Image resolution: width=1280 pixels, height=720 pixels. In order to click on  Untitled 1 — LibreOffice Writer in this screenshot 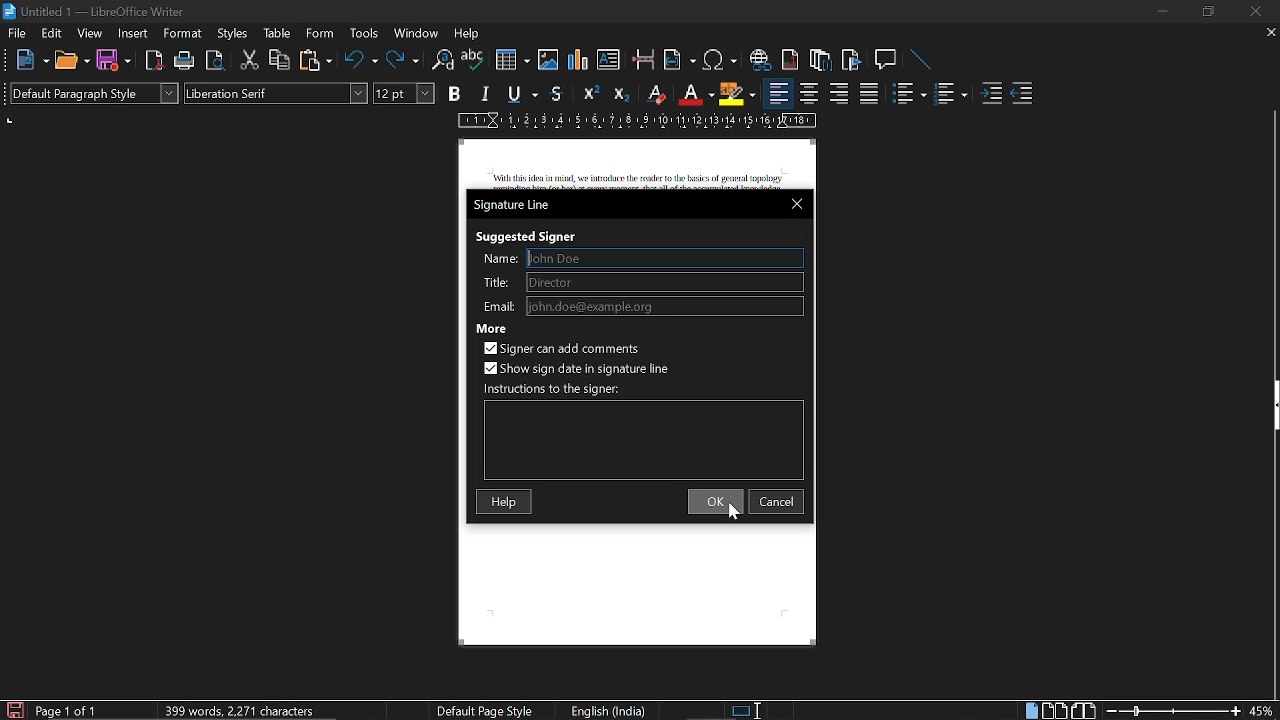, I will do `click(103, 10)`.